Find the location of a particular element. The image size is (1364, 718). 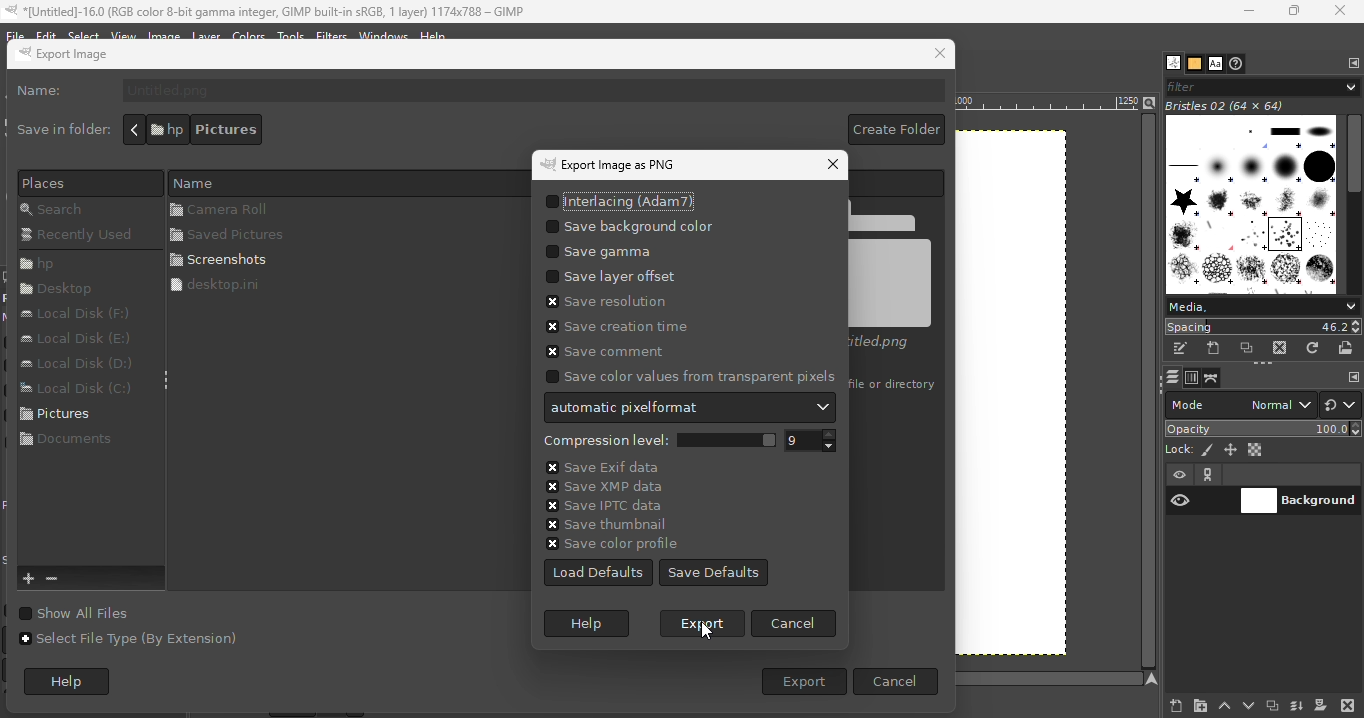

delete this brush is located at coordinates (1280, 348).